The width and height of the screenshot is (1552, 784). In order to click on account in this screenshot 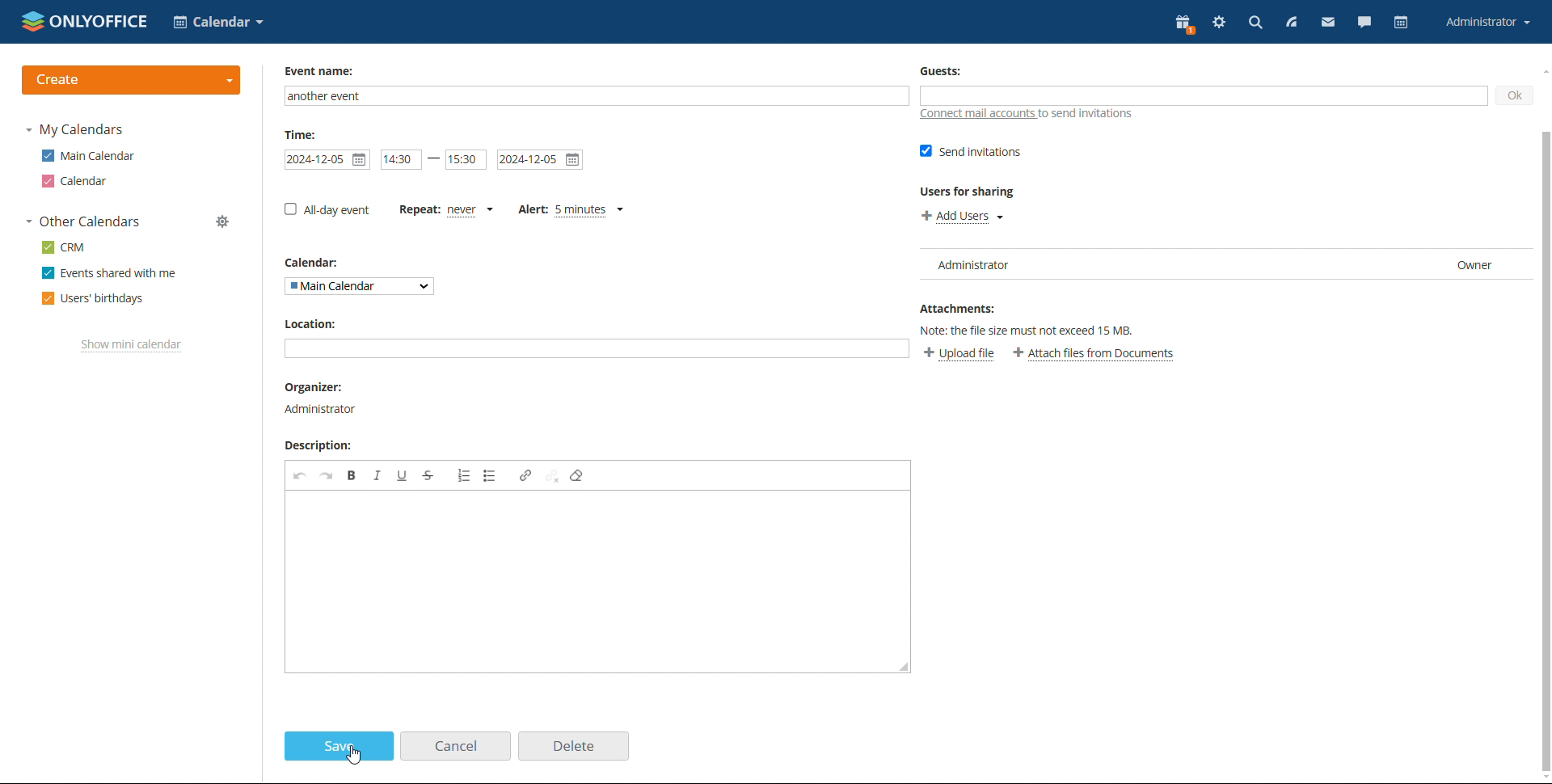, I will do `click(1487, 23)`.